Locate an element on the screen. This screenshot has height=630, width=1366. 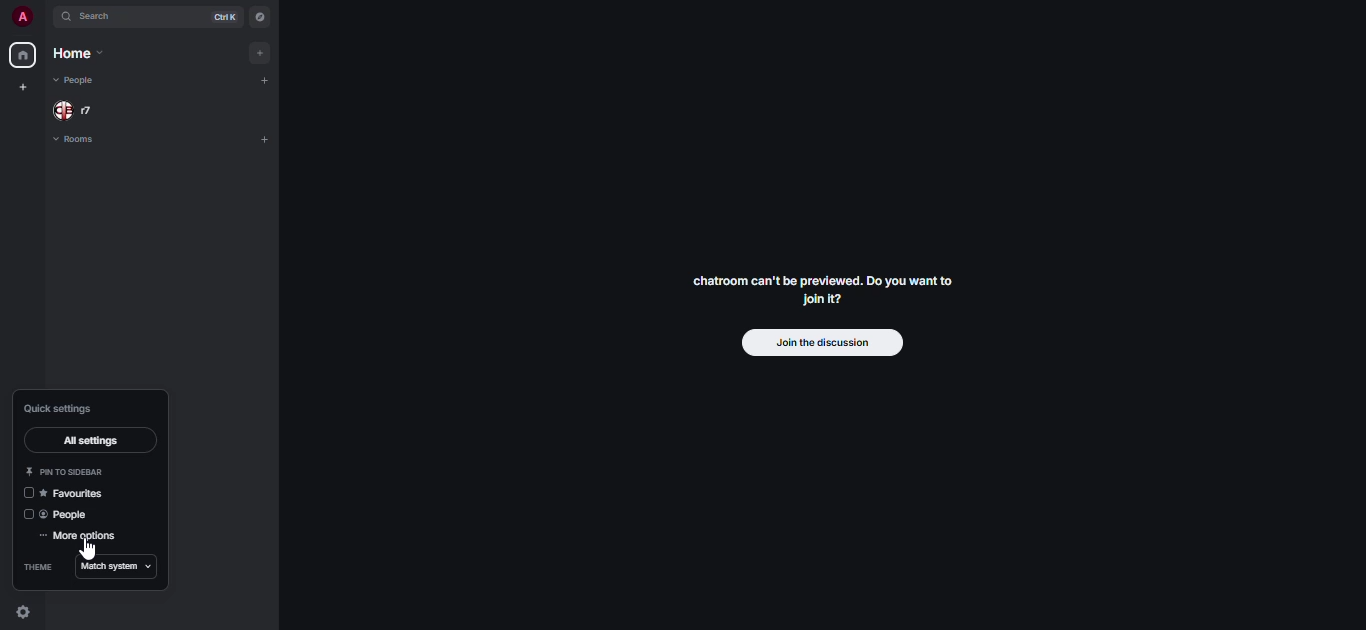
quick settings is located at coordinates (21, 612).